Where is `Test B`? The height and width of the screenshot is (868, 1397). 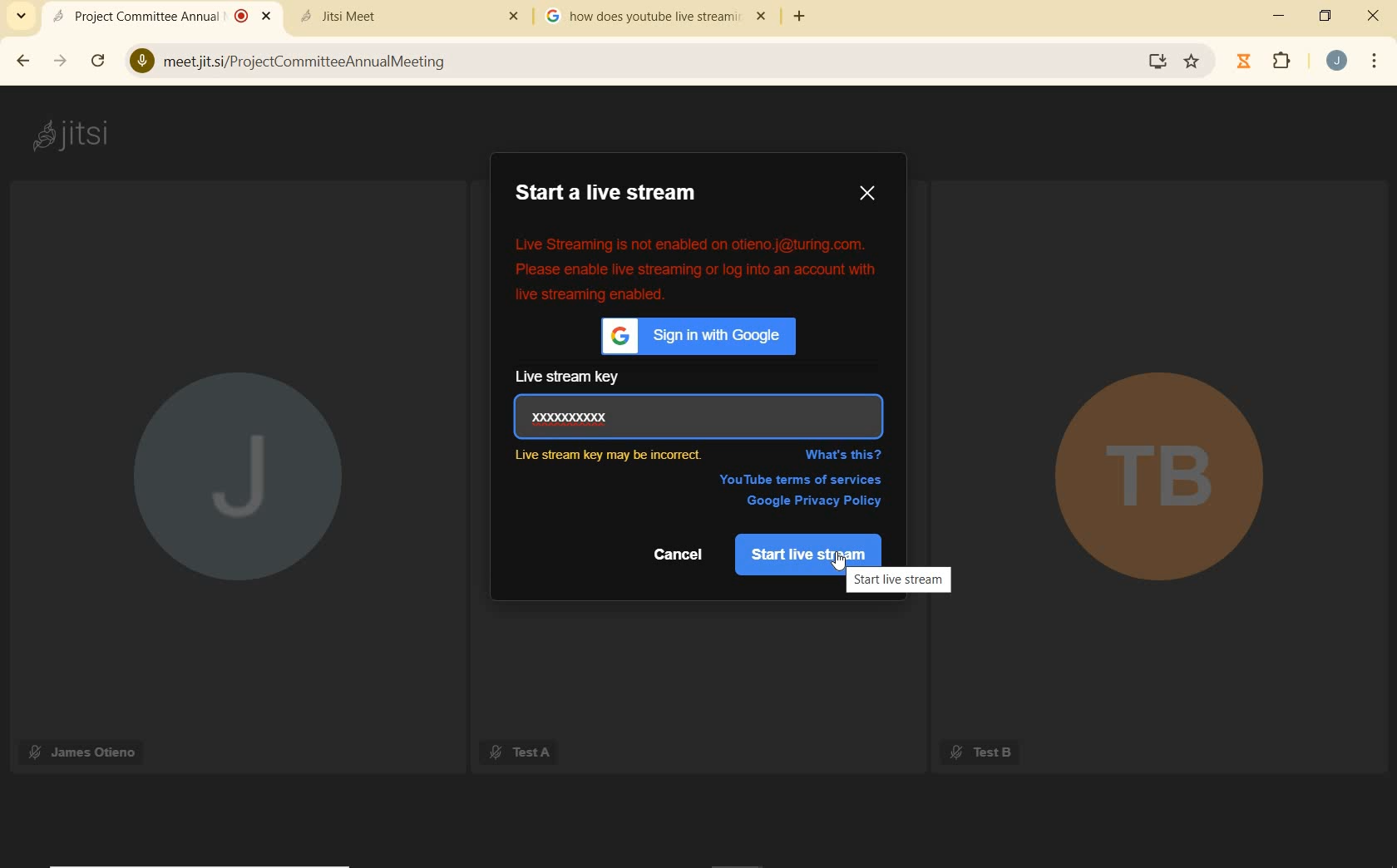
Test B is located at coordinates (982, 747).